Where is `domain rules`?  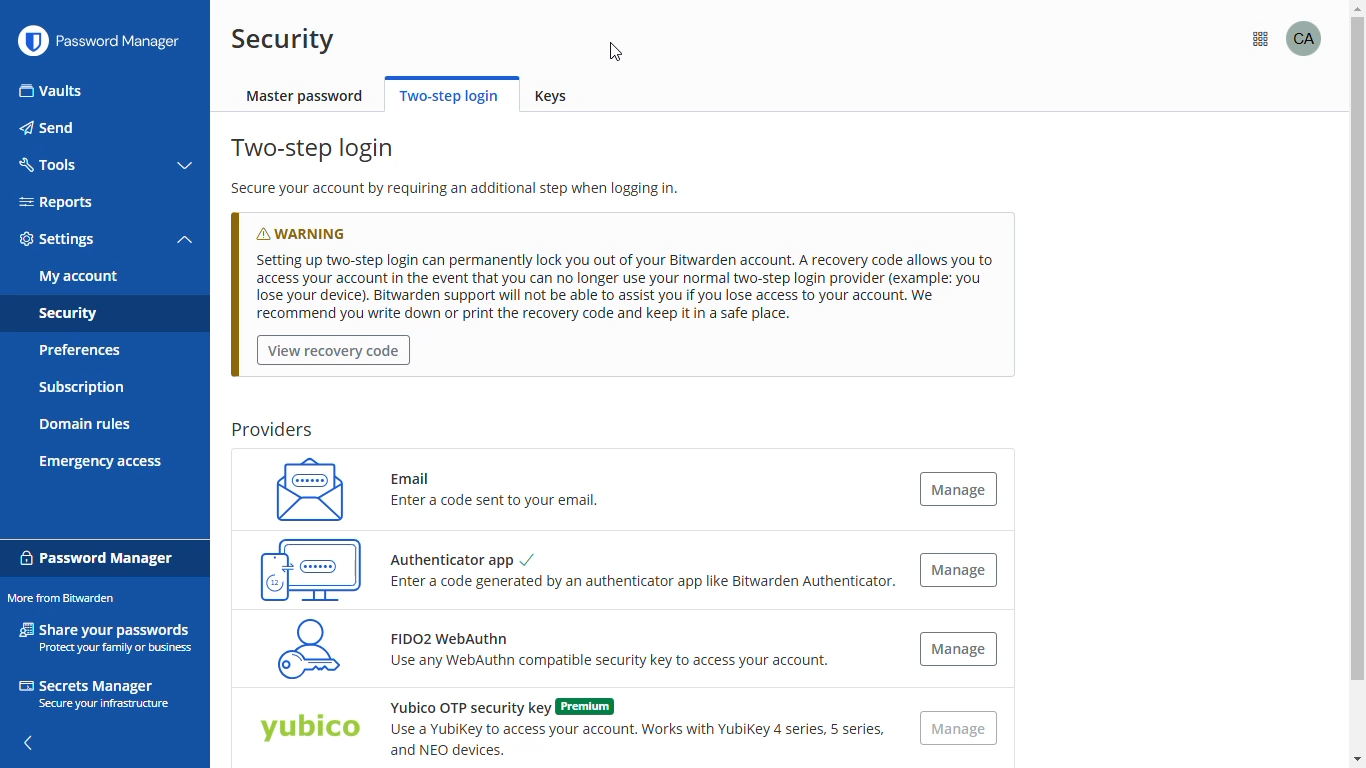
domain rules is located at coordinates (85, 426).